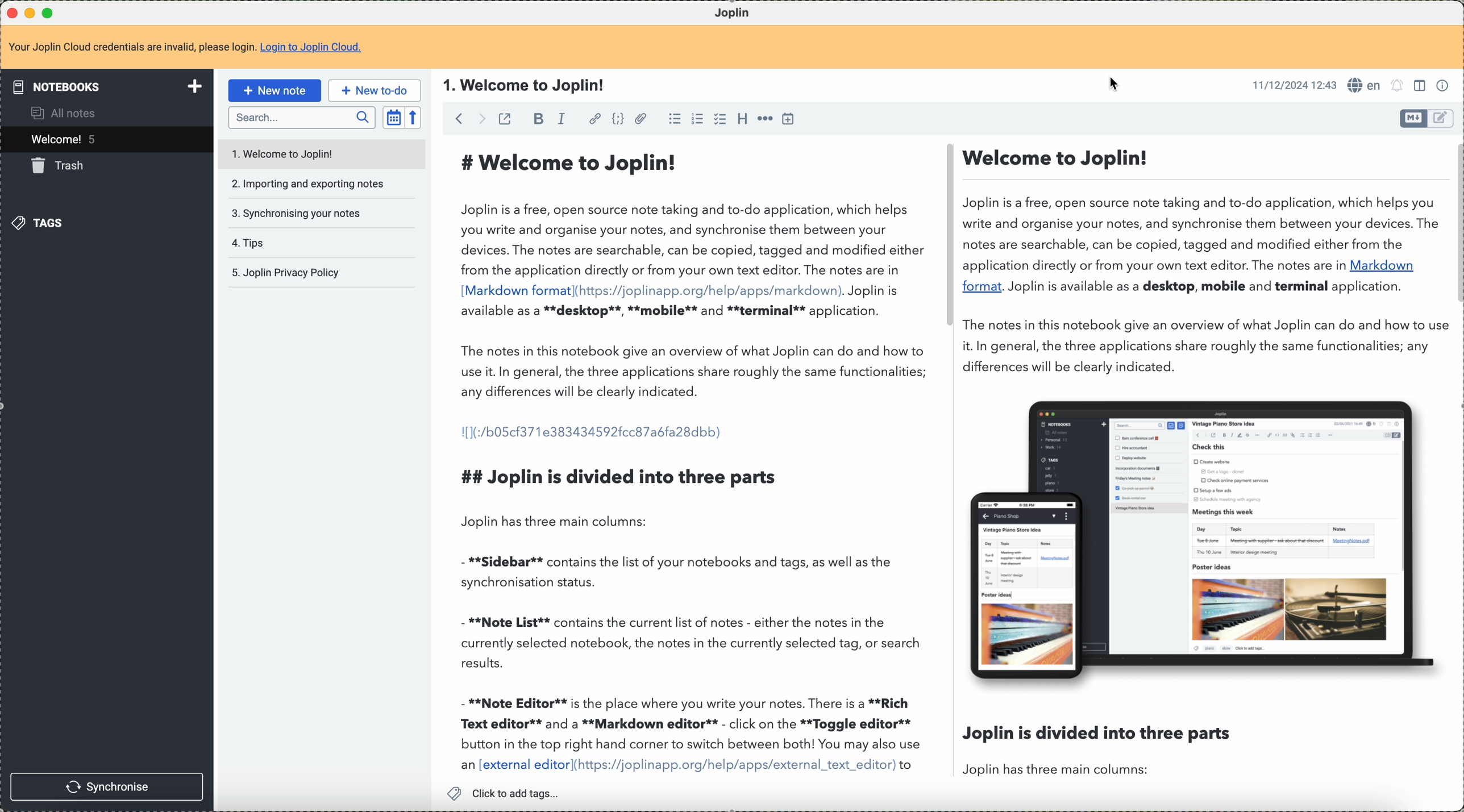 This screenshot has height=812, width=1464. What do you see at coordinates (412, 118) in the screenshot?
I see `reverse sort order` at bounding box center [412, 118].